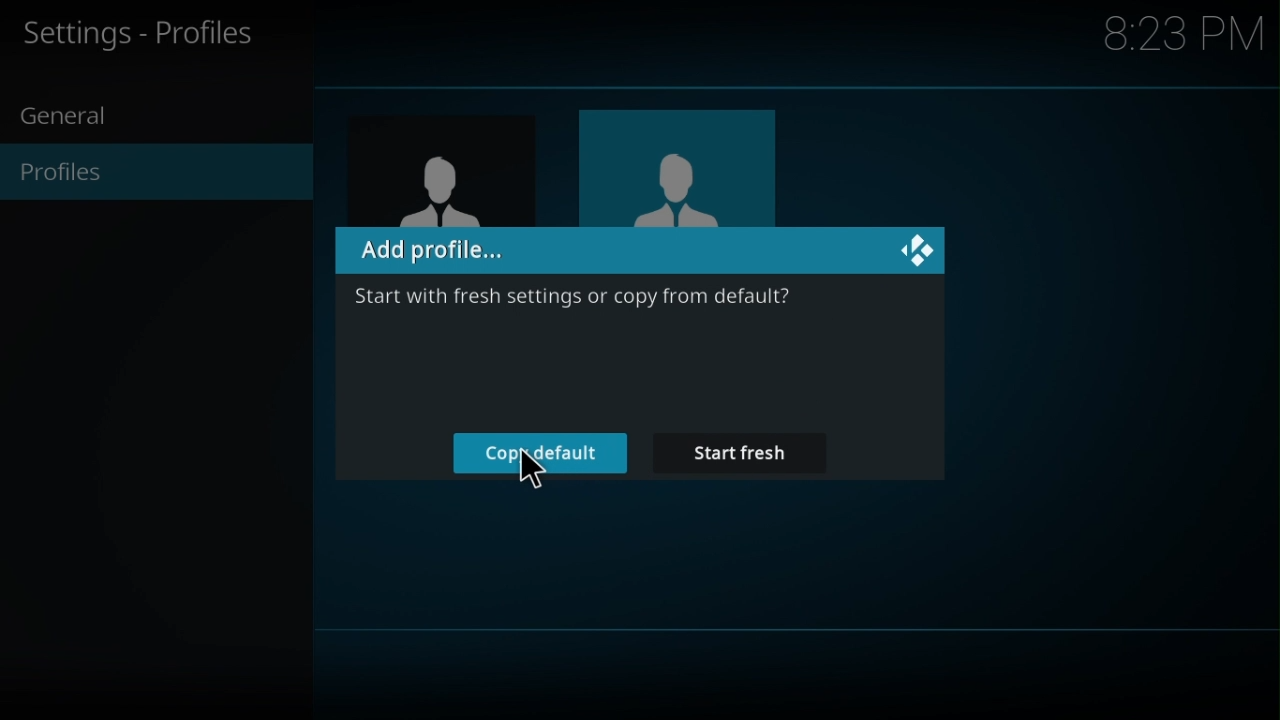  Describe the element at coordinates (66, 117) in the screenshot. I see `general` at that location.